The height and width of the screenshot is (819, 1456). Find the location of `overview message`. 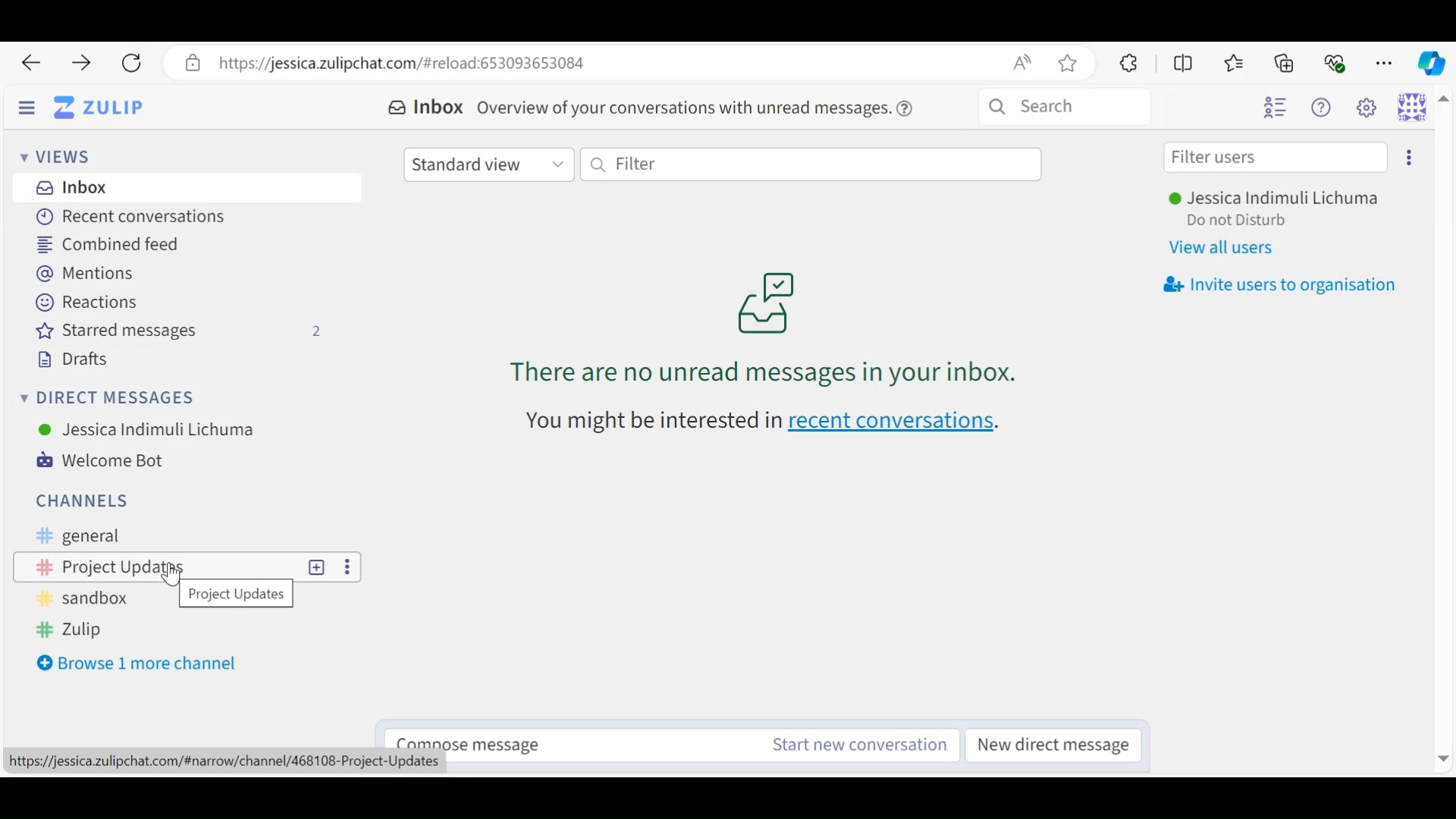

overview message is located at coordinates (697, 107).